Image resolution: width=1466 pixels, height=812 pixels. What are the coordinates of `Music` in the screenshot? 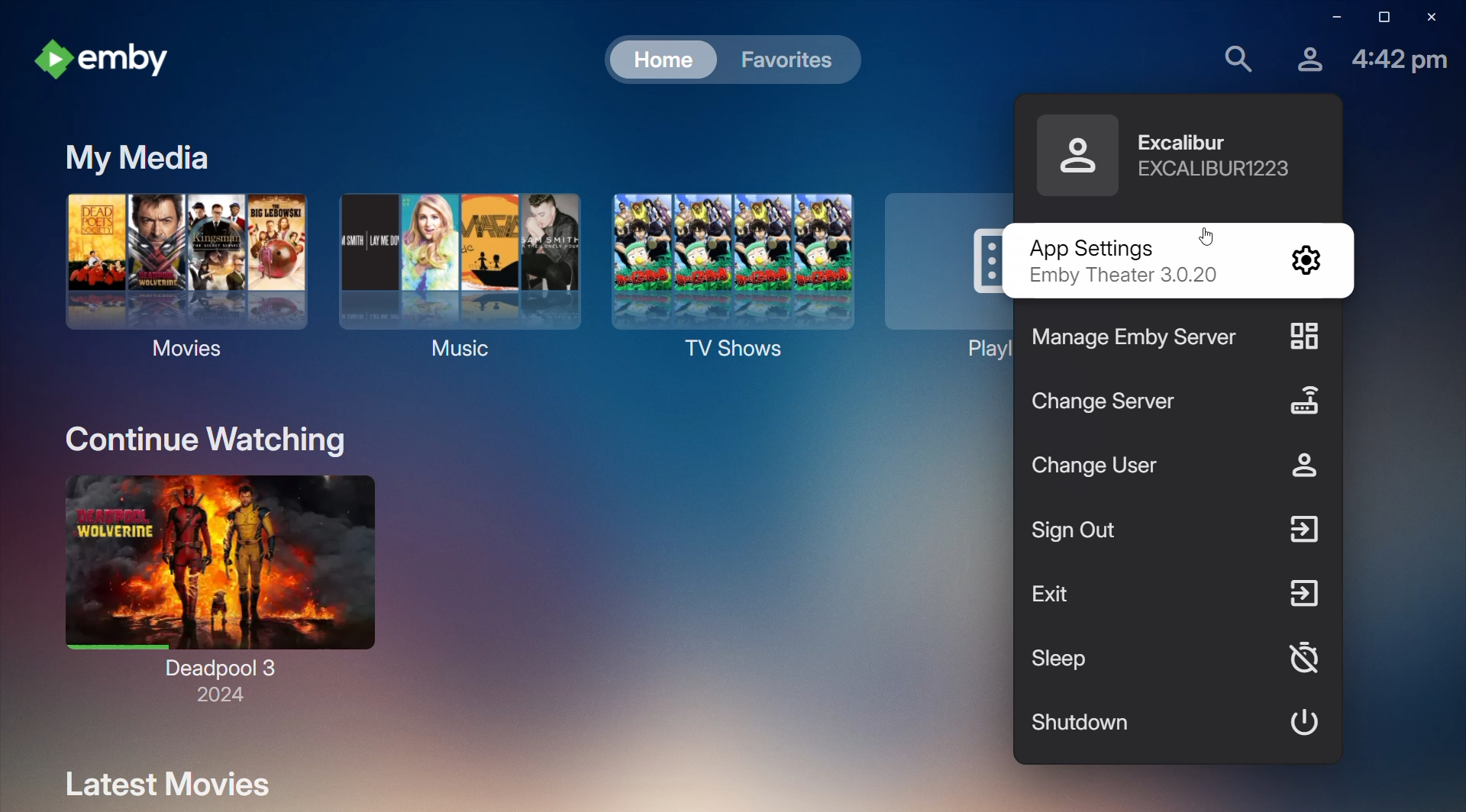 It's located at (460, 275).